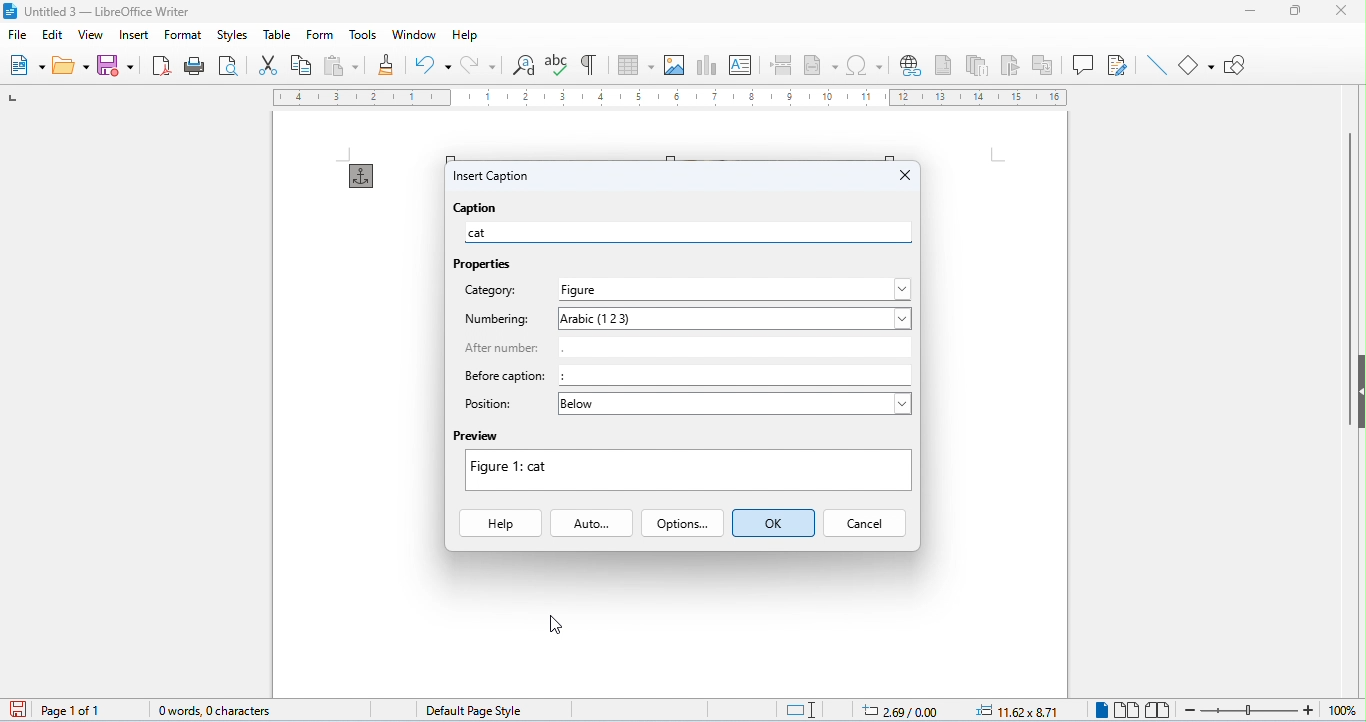 The image size is (1366, 722). What do you see at coordinates (636, 66) in the screenshot?
I see `table` at bounding box center [636, 66].